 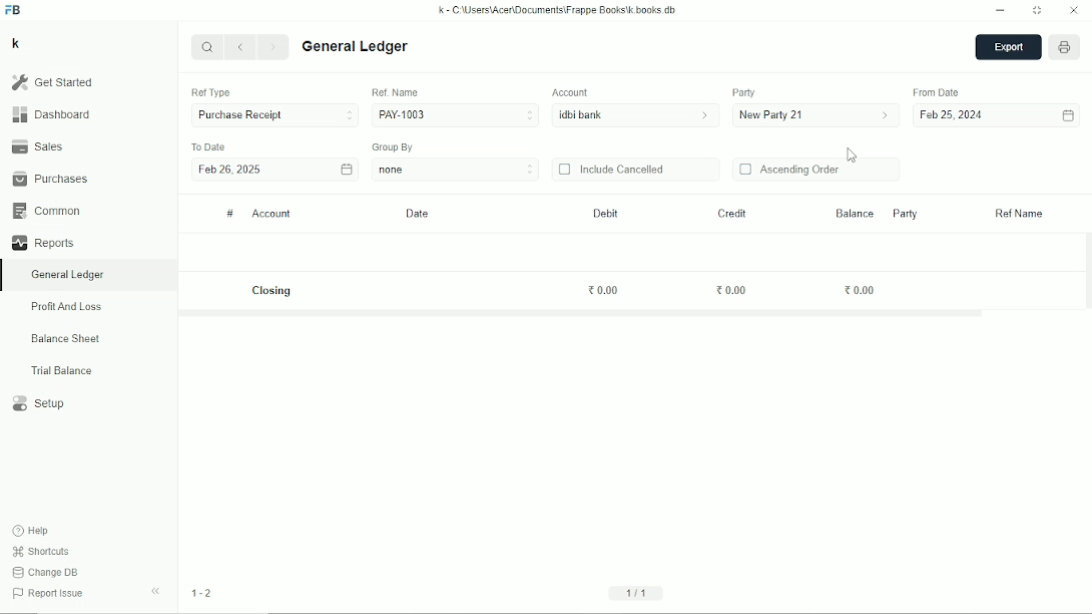 What do you see at coordinates (51, 595) in the screenshot?
I see `Report issue` at bounding box center [51, 595].